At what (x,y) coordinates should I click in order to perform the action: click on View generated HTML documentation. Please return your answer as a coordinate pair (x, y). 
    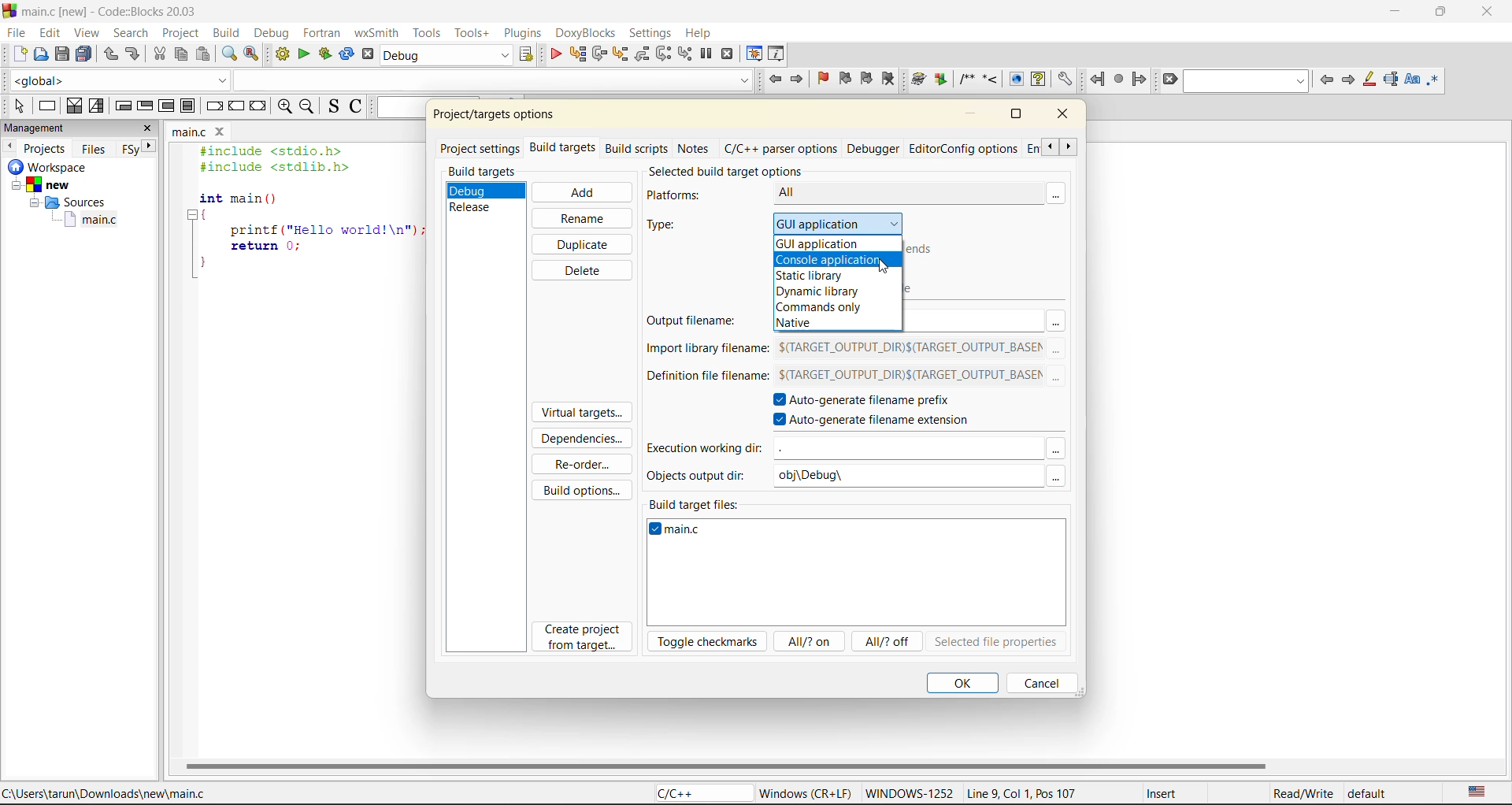
    Looking at the image, I should click on (1016, 79).